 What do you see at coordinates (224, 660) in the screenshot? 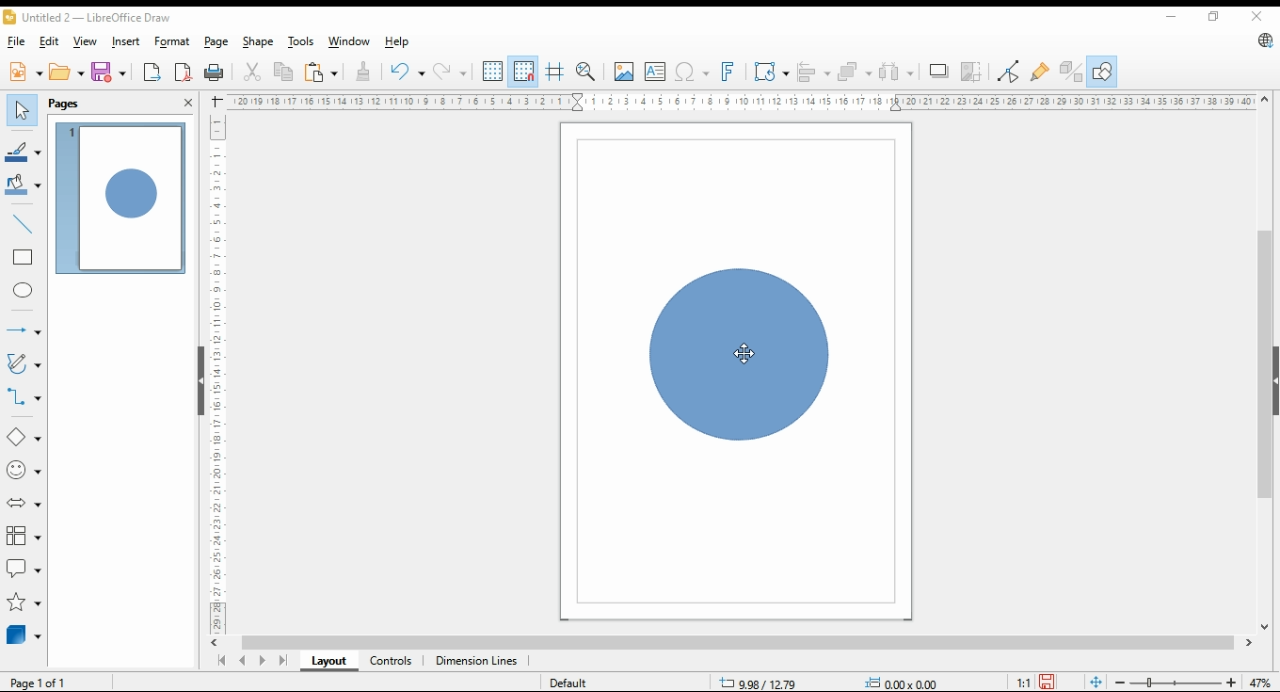
I see `first page` at bounding box center [224, 660].